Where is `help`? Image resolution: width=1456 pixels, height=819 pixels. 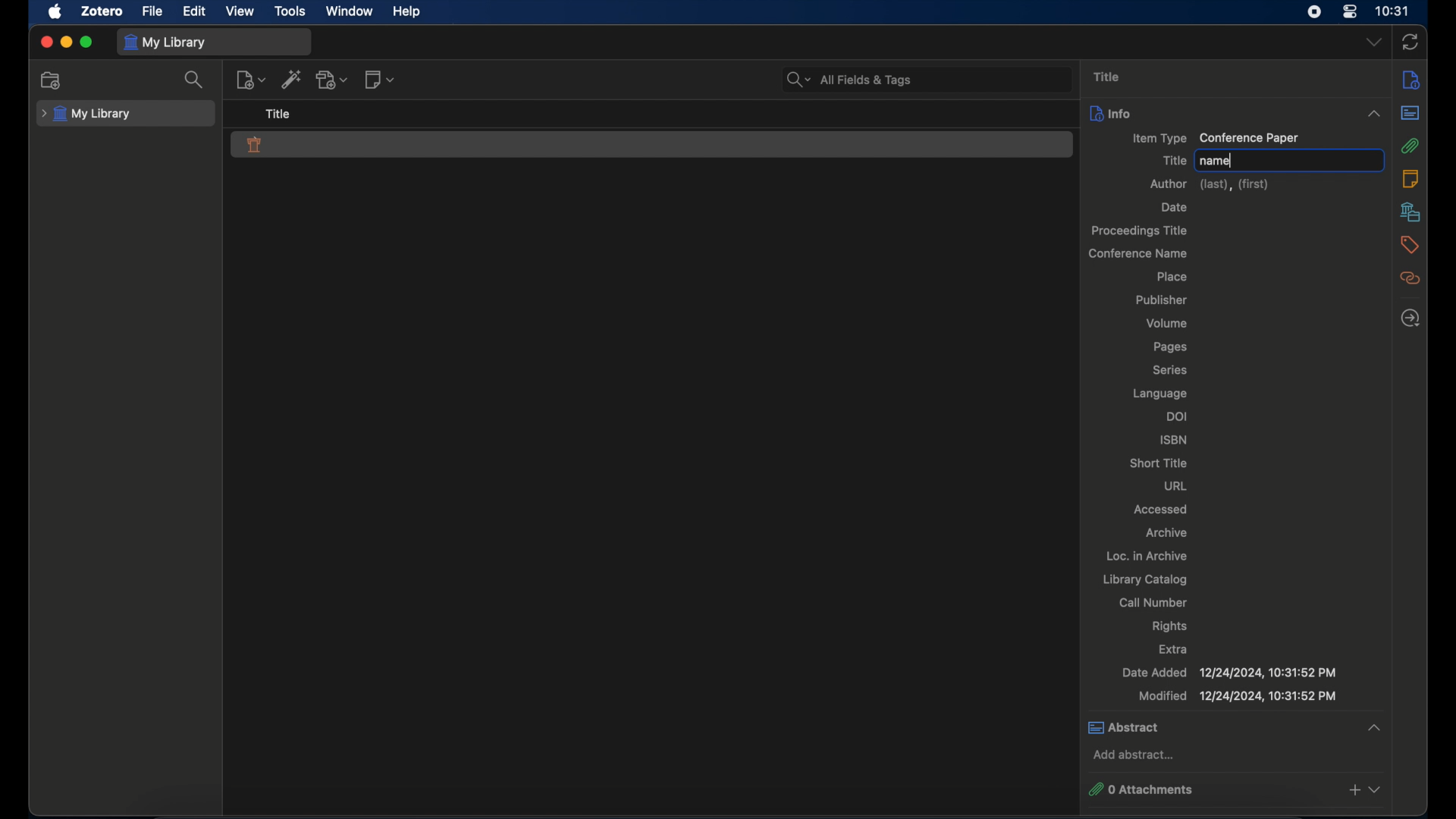
help is located at coordinates (406, 12).